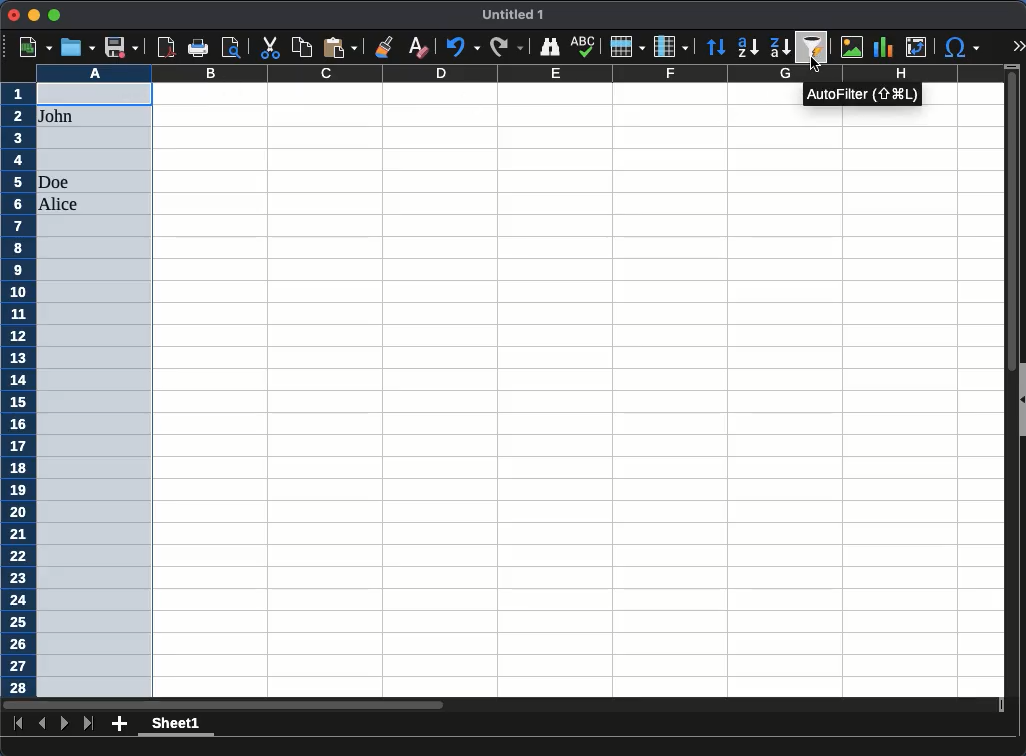  What do you see at coordinates (883, 47) in the screenshot?
I see `chart` at bounding box center [883, 47].